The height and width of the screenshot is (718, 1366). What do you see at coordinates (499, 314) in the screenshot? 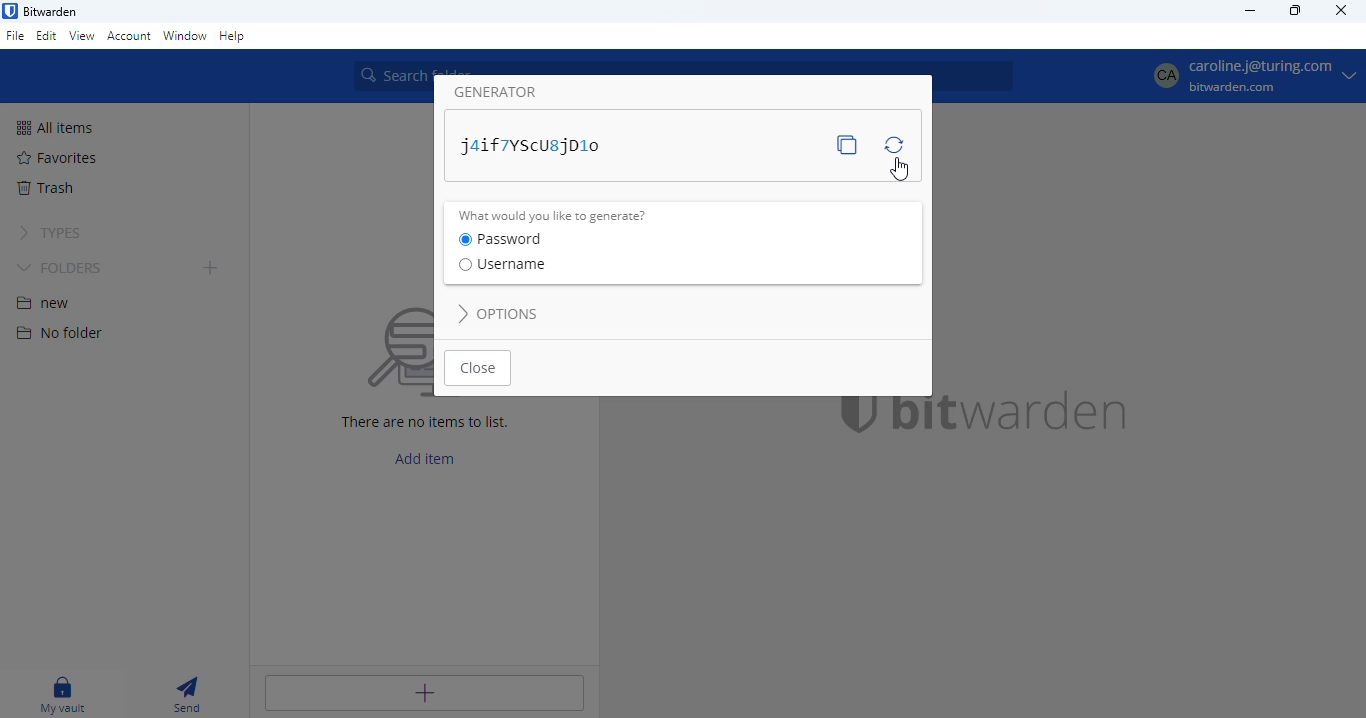
I see `options` at bounding box center [499, 314].